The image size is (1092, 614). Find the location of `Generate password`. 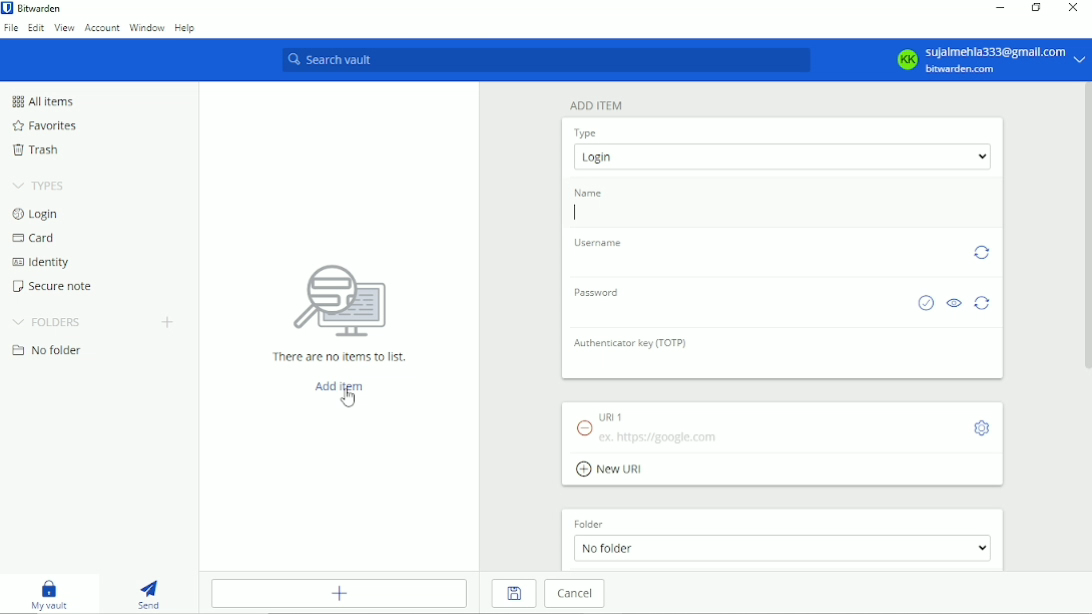

Generate password is located at coordinates (984, 303).